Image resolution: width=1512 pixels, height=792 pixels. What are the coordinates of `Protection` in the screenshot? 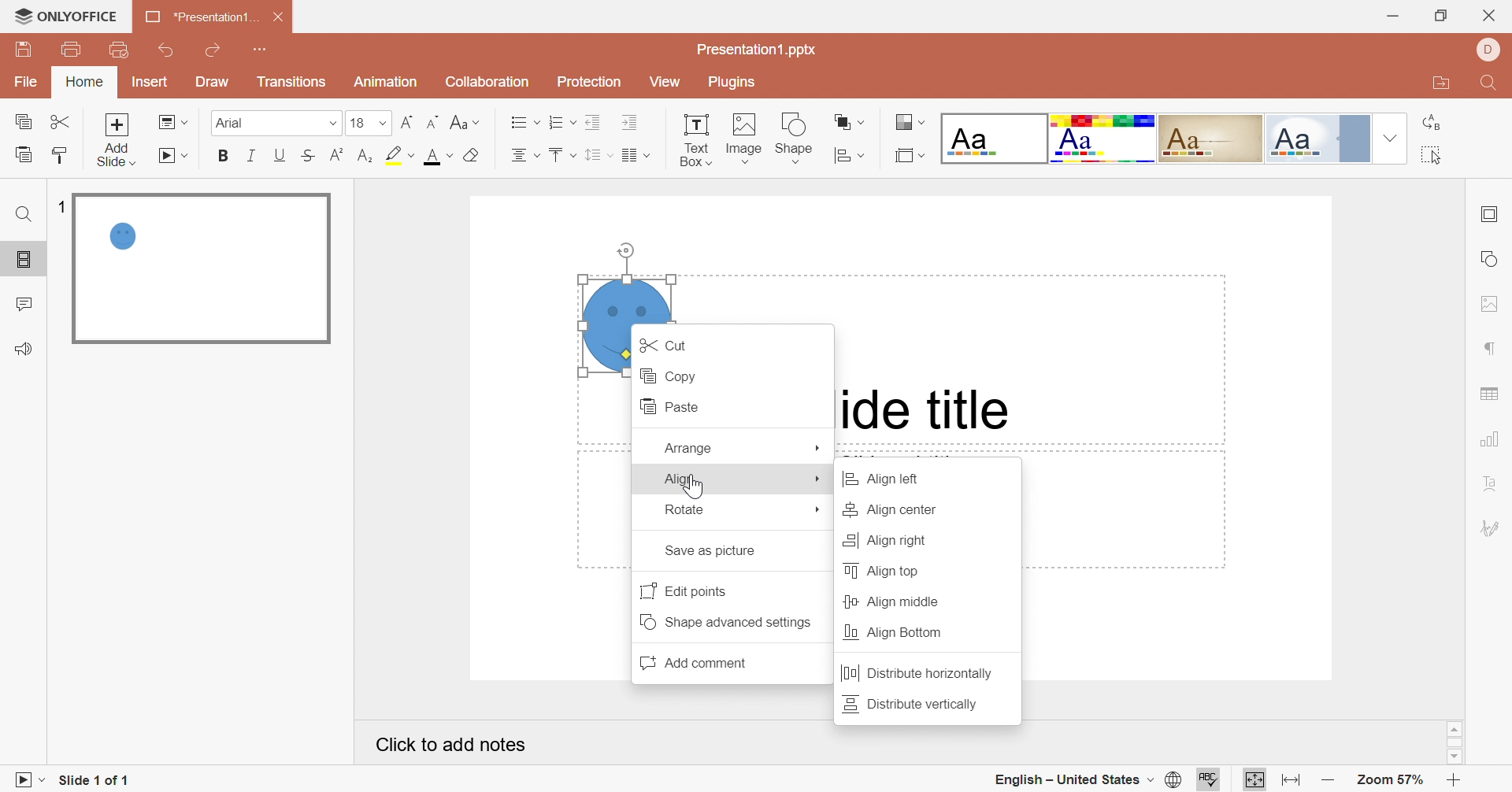 It's located at (587, 83).